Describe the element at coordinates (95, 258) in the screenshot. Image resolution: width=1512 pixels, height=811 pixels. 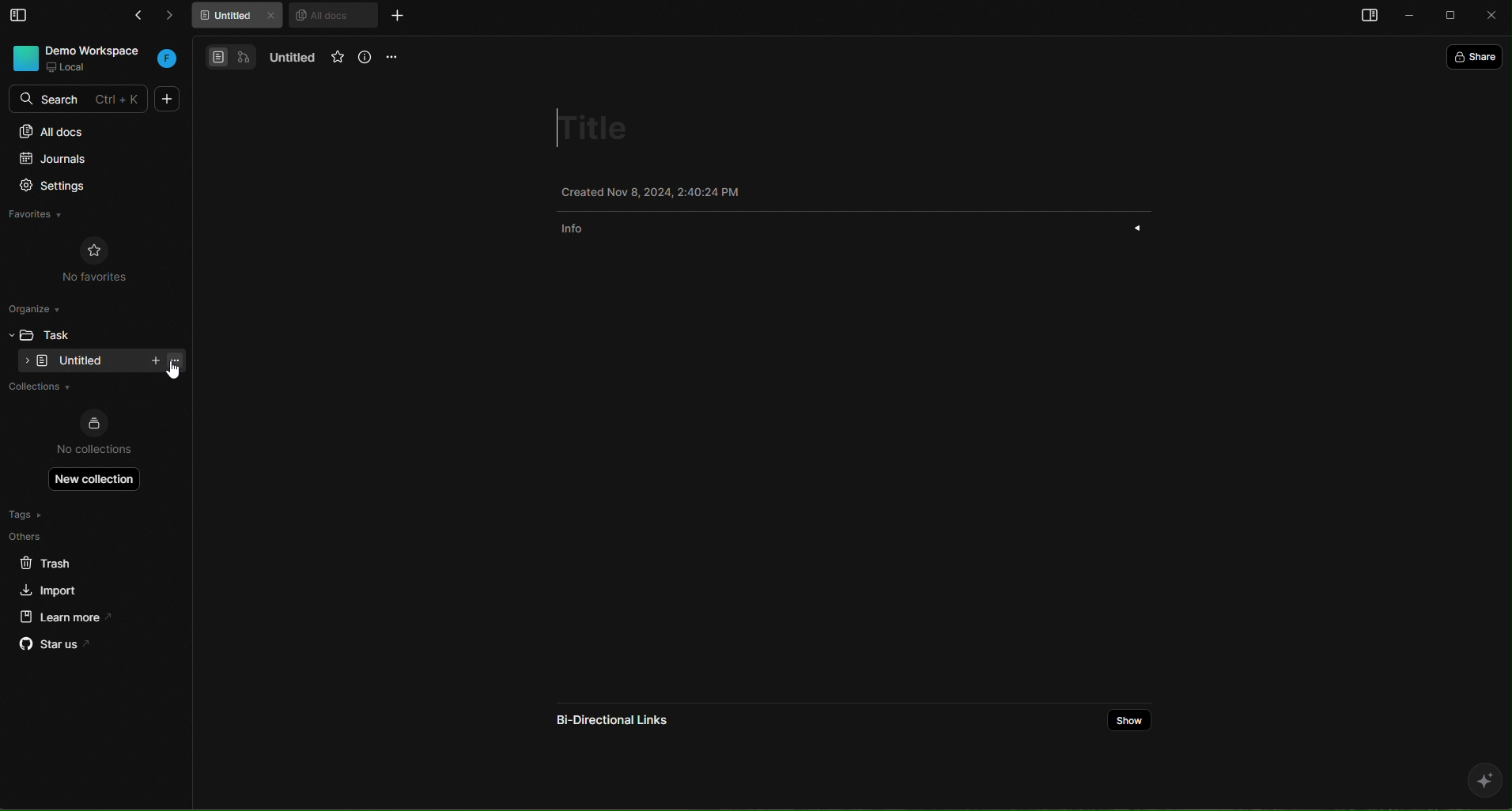
I see `no favorites` at that location.